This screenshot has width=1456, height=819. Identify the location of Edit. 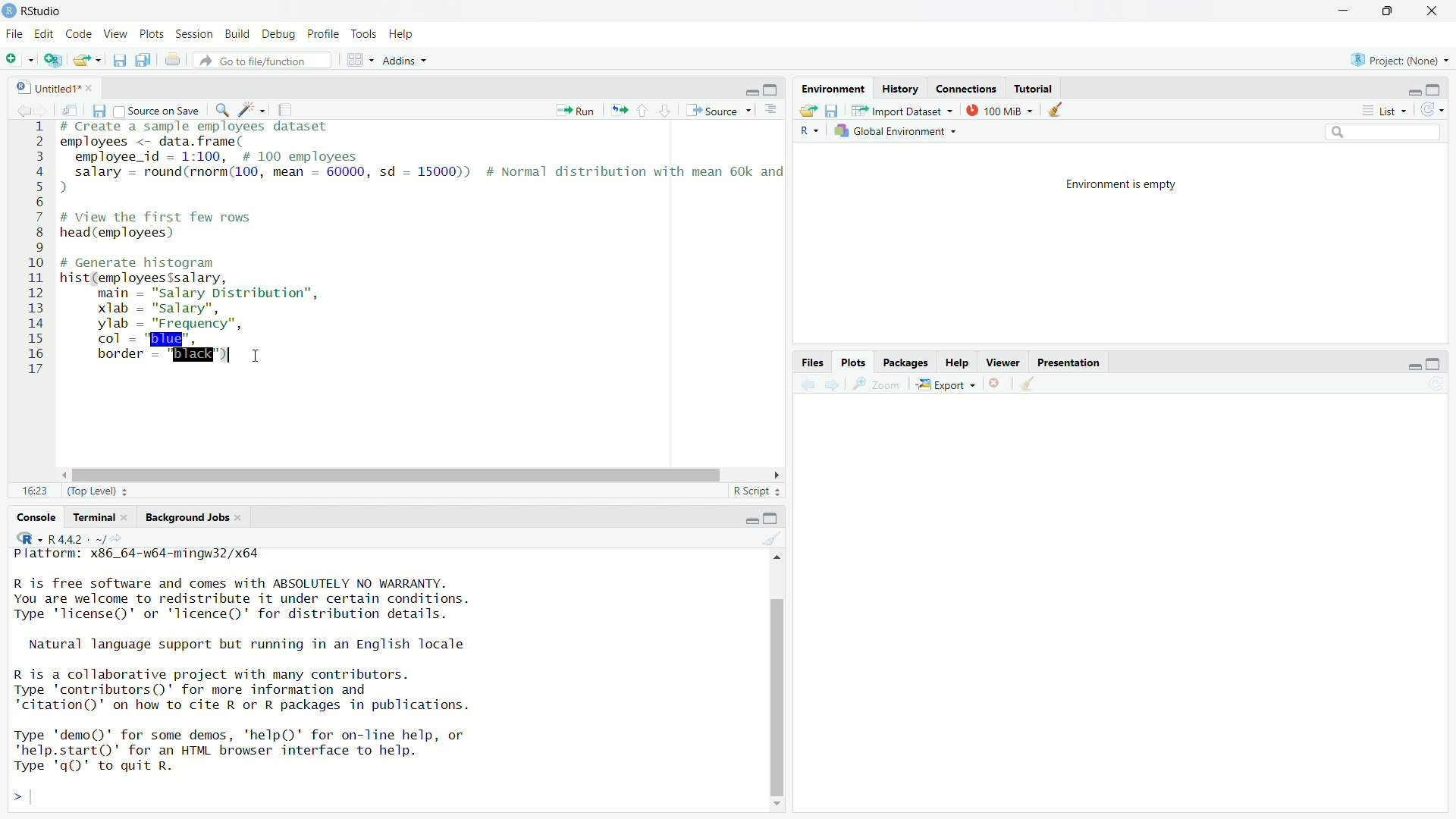
(45, 33).